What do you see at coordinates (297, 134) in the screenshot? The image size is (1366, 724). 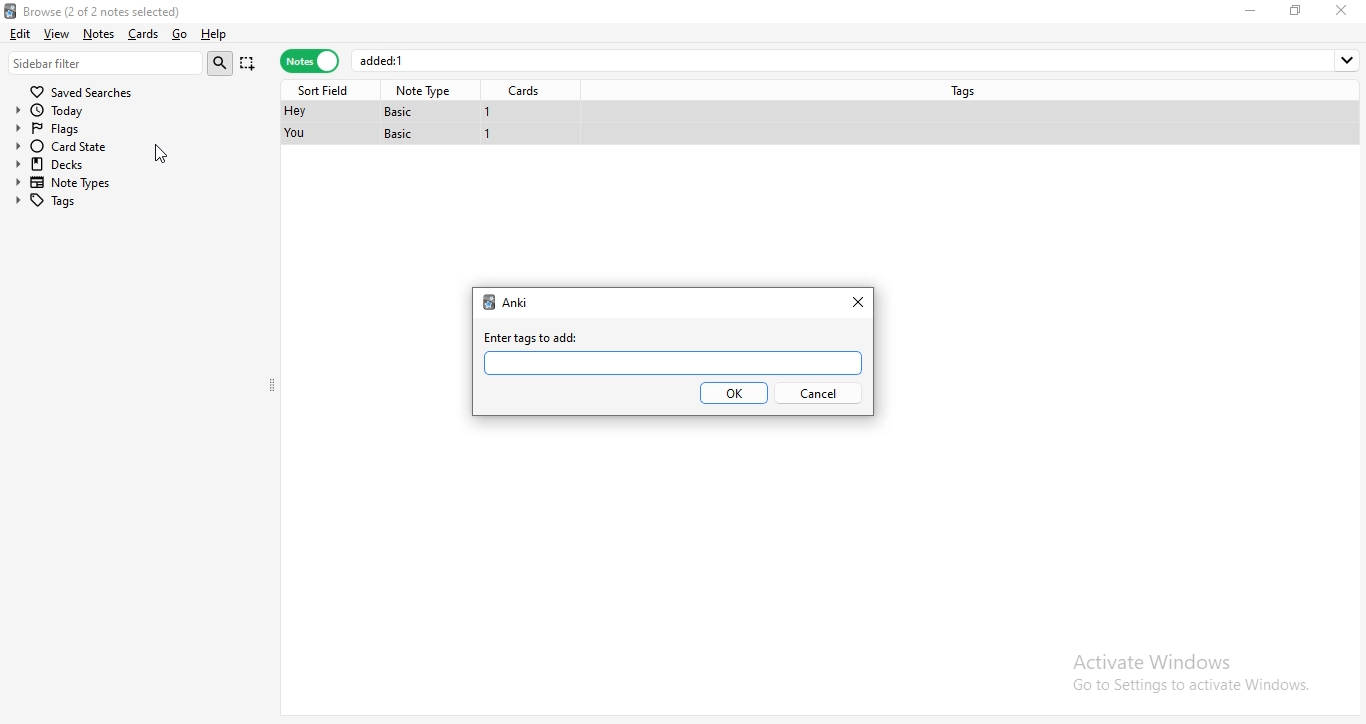 I see `you` at bounding box center [297, 134].